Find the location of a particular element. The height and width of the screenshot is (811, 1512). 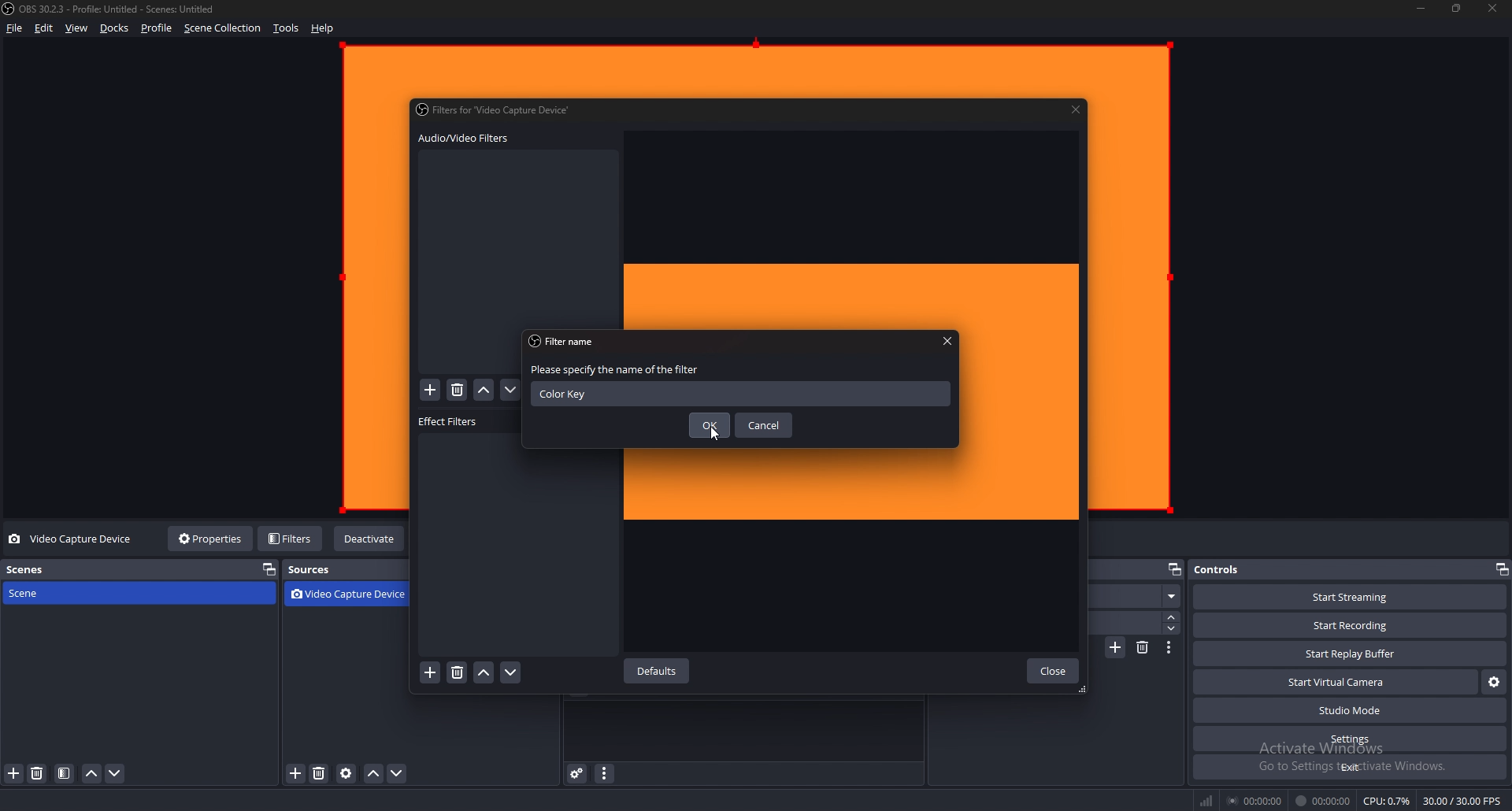

close is located at coordinates (1052, 671).